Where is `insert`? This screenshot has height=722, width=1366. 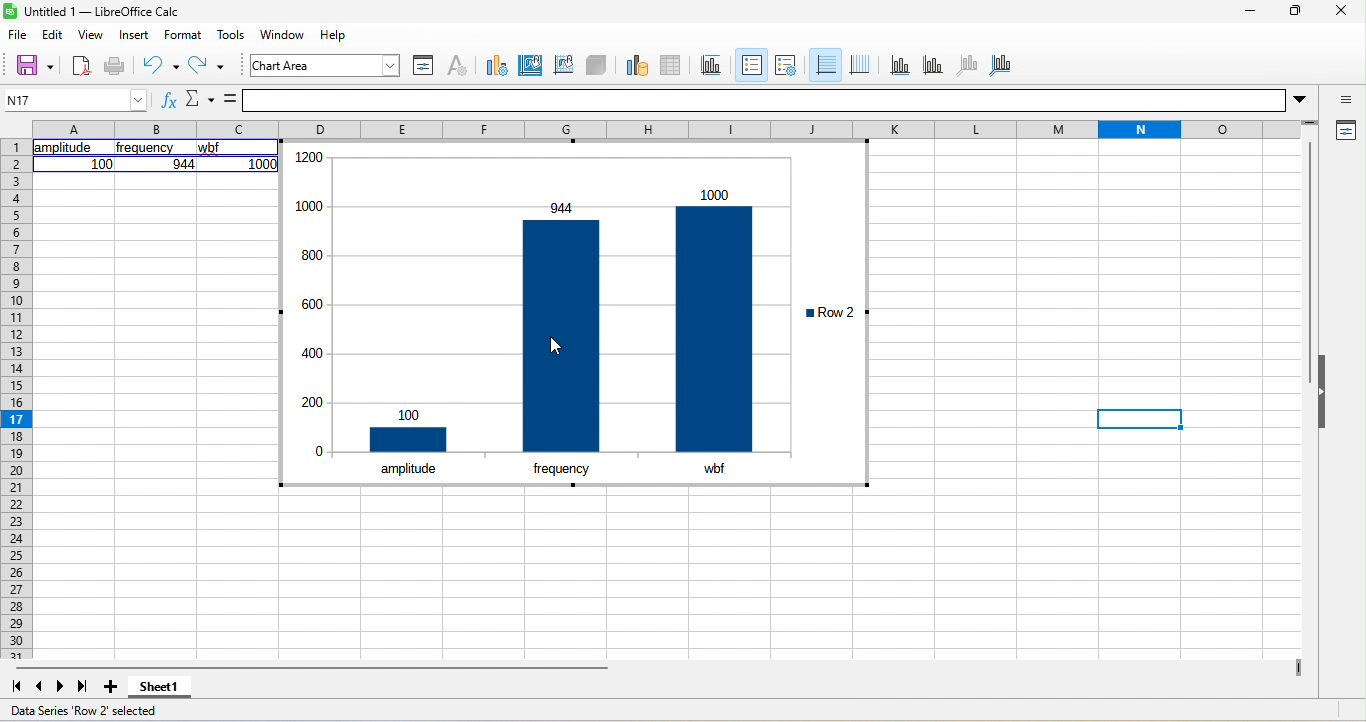
insert is located at coordinates (140, 35).